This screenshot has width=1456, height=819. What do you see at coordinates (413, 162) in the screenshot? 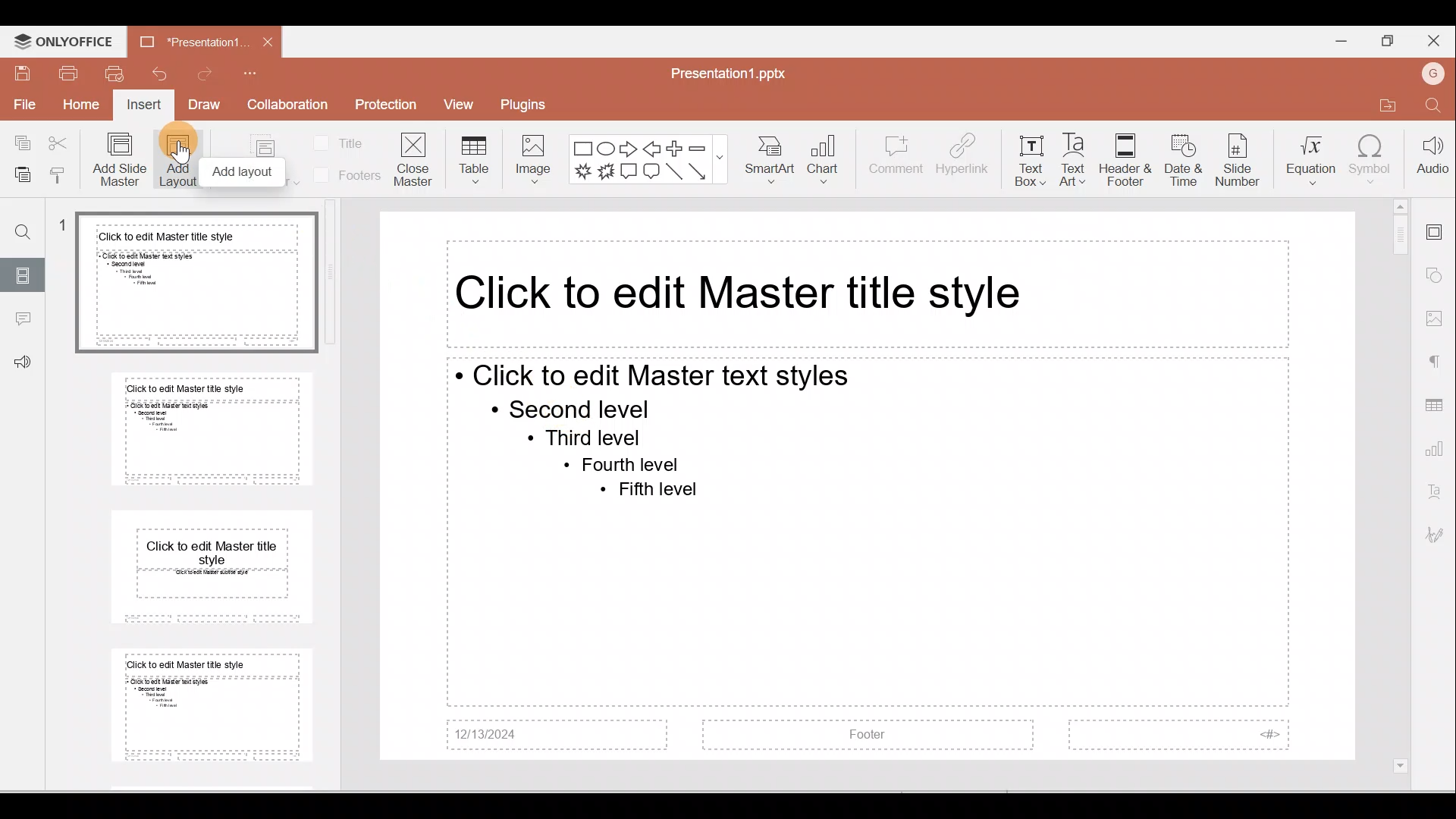
I see `Close master` at bounding box center [413, 162].